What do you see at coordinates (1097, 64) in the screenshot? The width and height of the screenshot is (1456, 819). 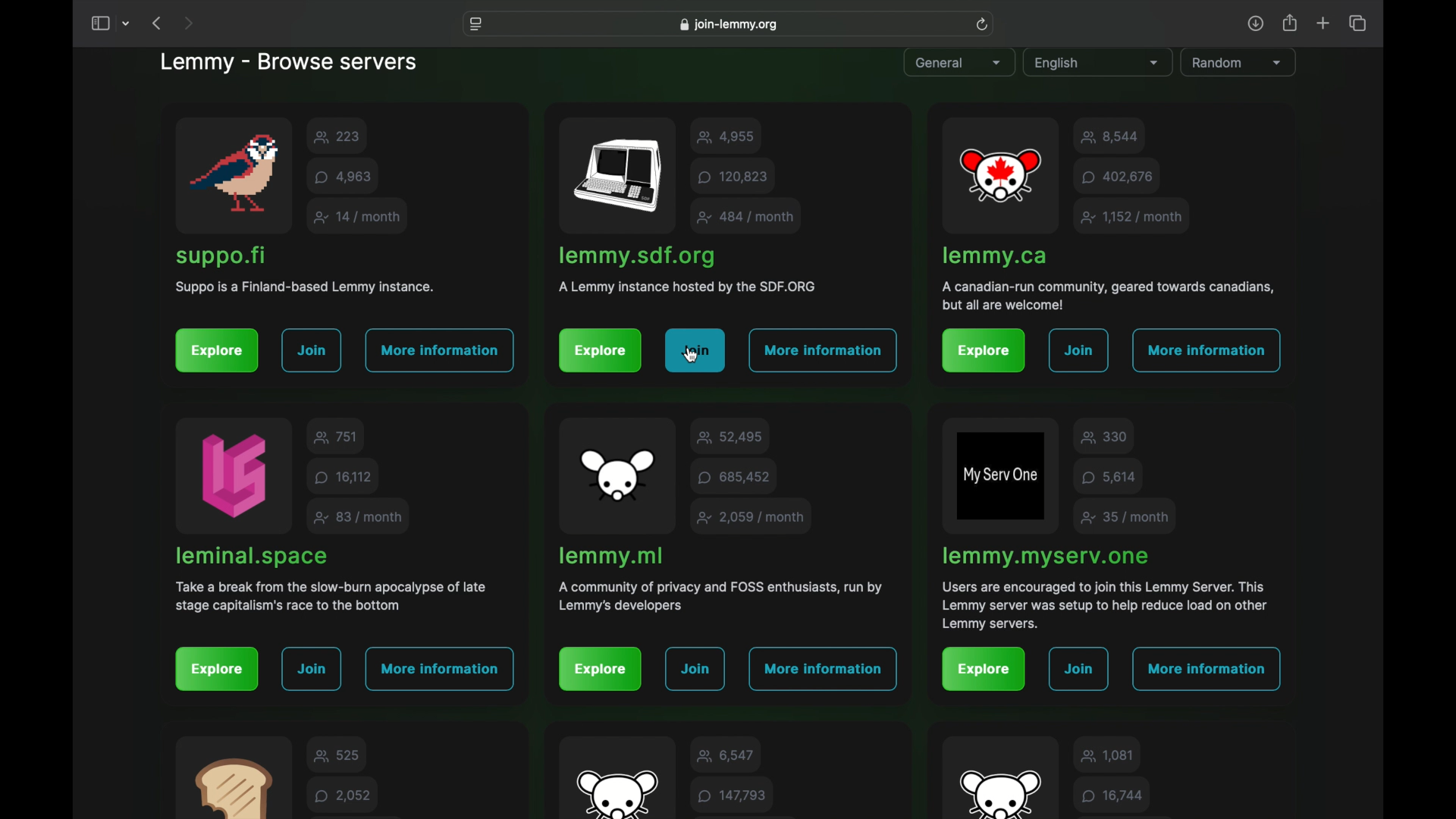 I see `english` at bounding box center [1097, 64].